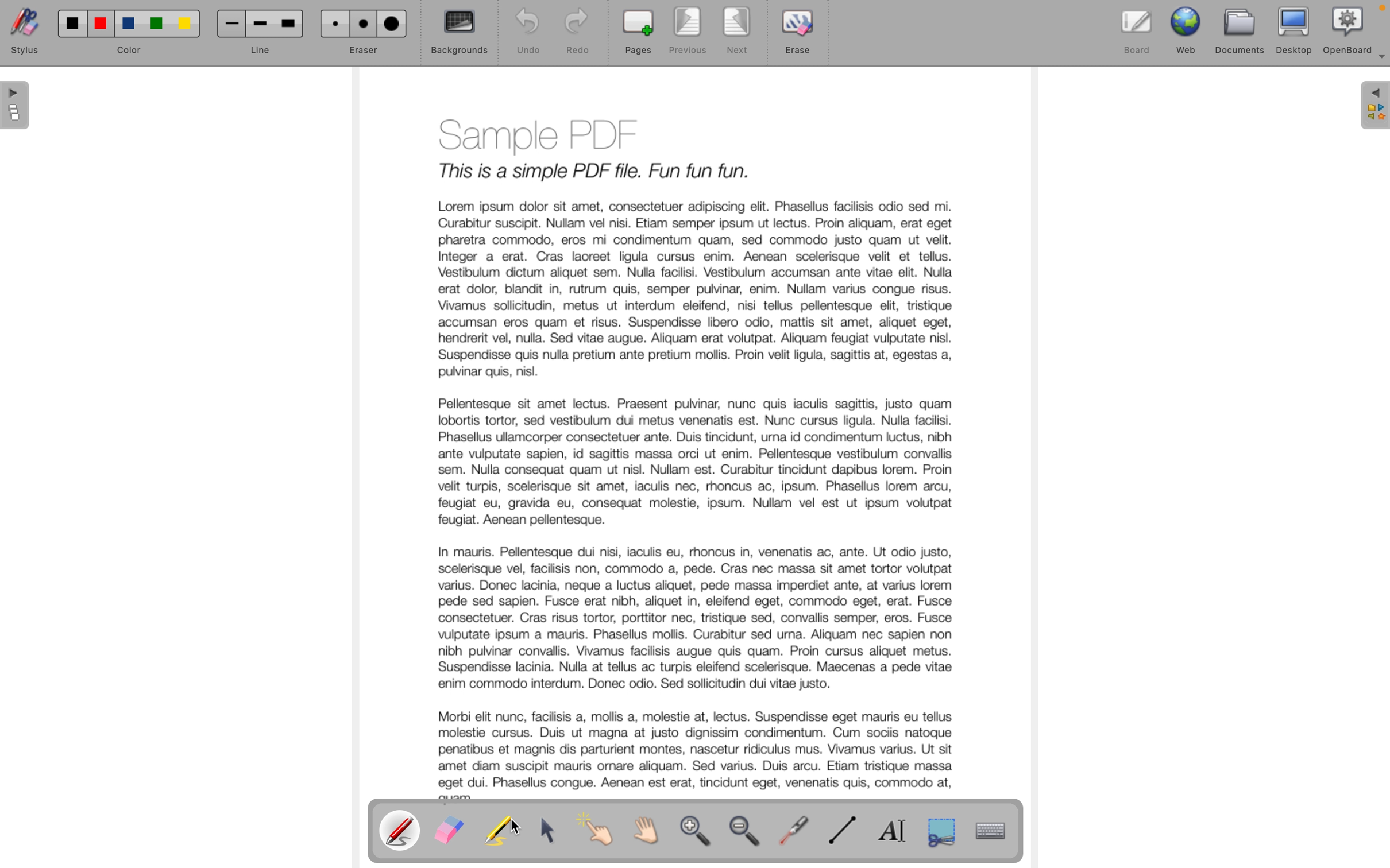  I want to click on eraser, so click(362, 33).